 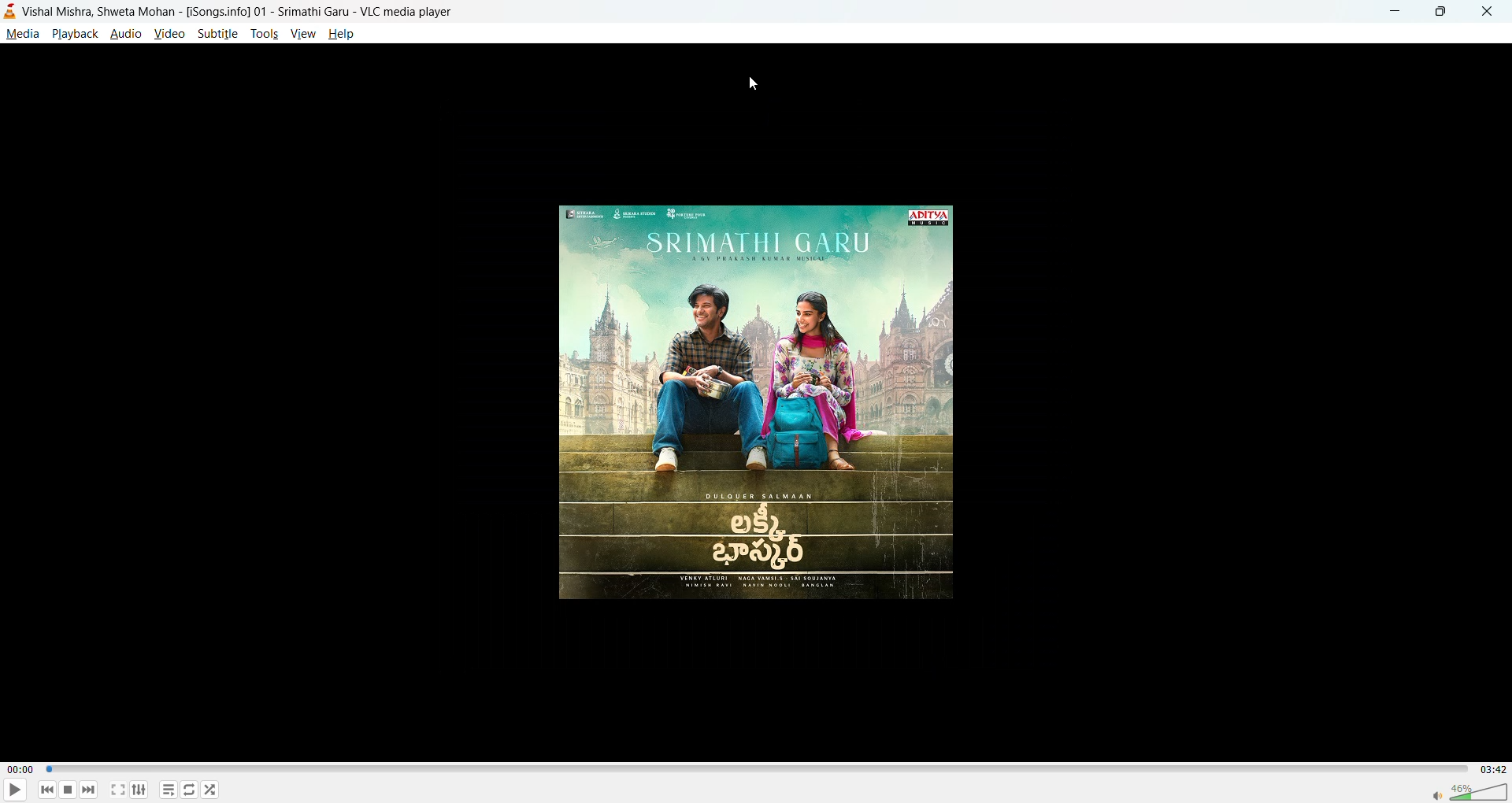 What do you see at coordinates (1490, 769) in the screenshot?
I see `03:42` at bounding box center [1490, 769].